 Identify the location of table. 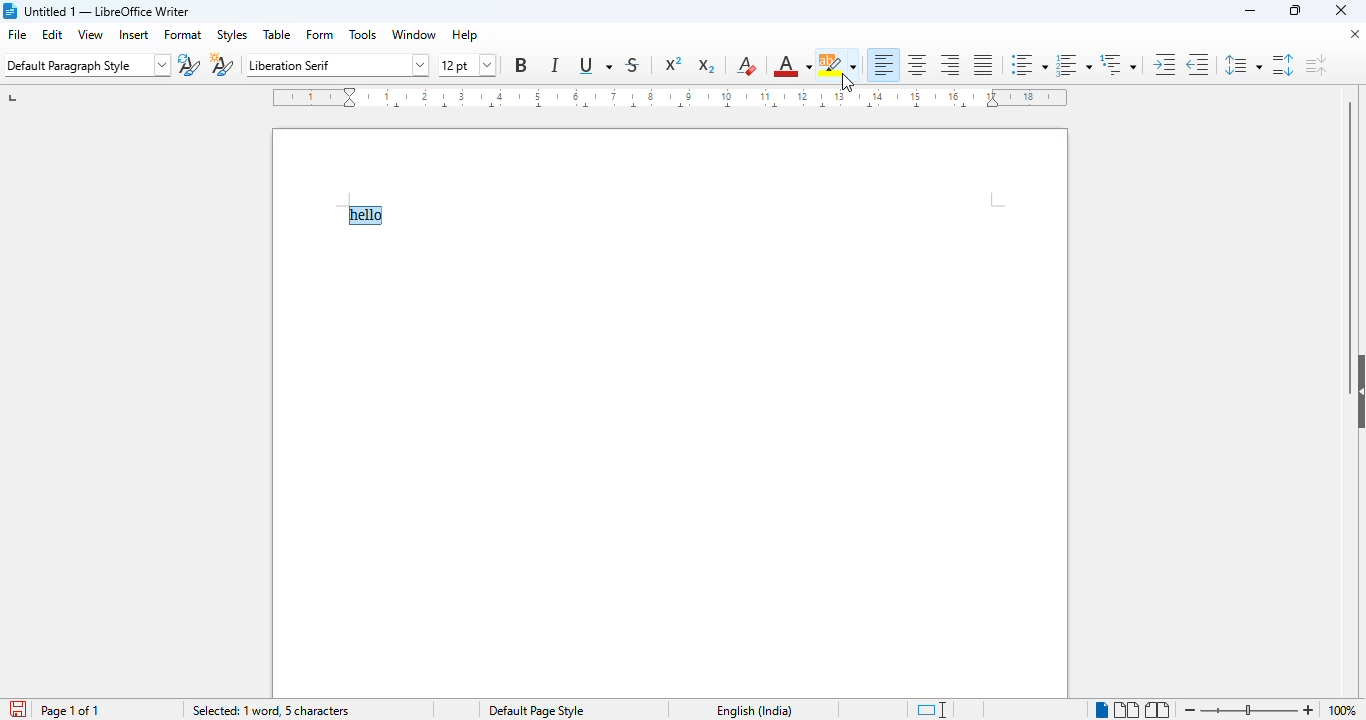
(277, 34).